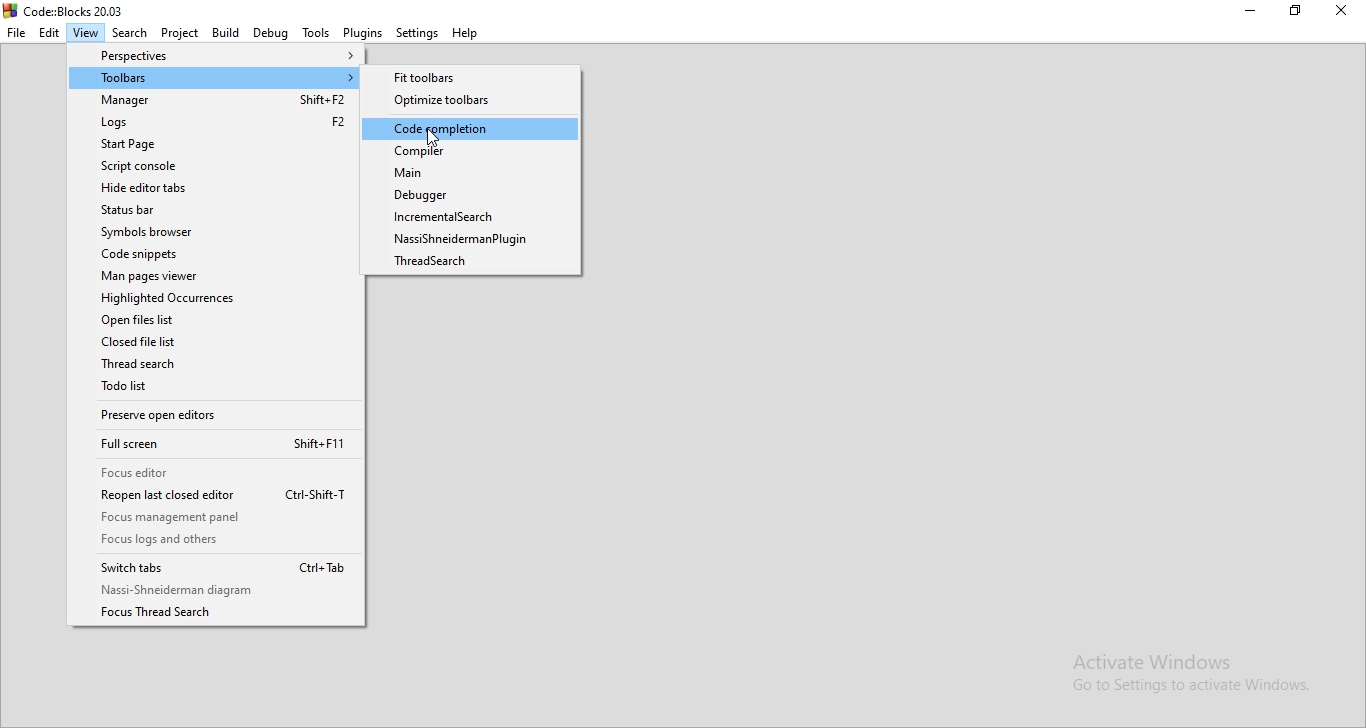  Describe the element at coordinates (67, 10) in the screenshot. I see `logo` at that location.